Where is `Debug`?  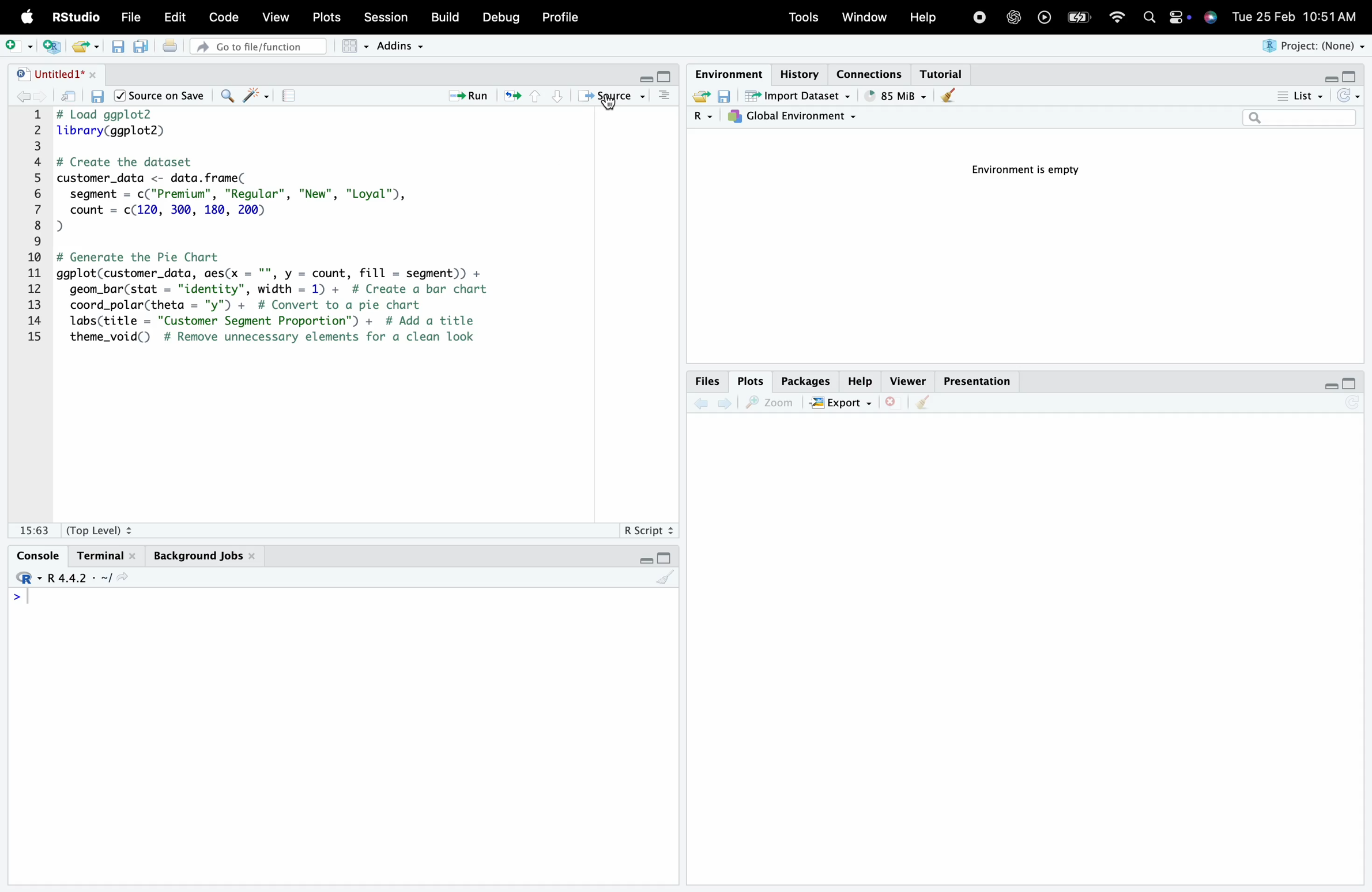
Debug is located at coordinates (500, 18).